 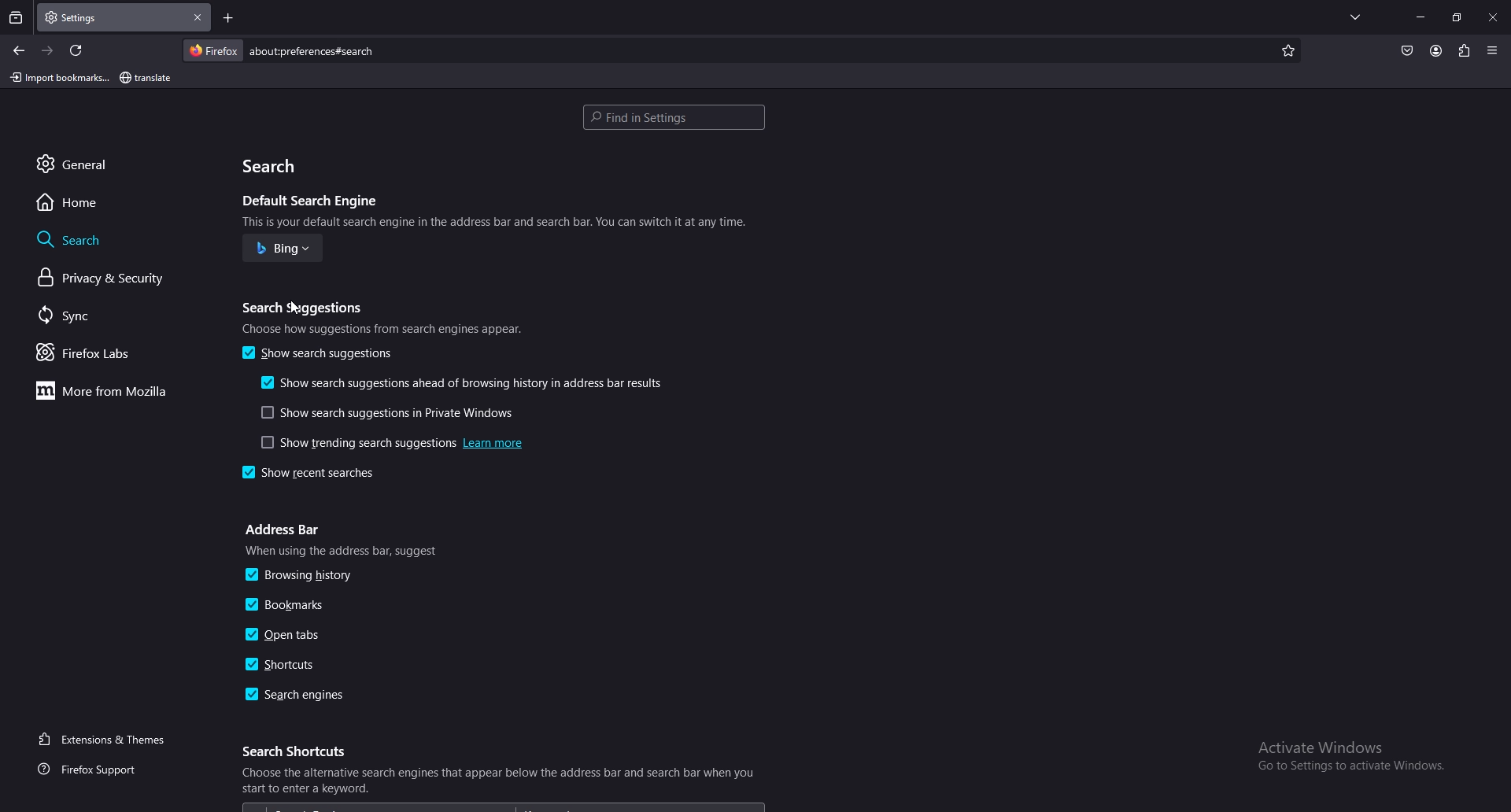 I want to click on sync, so click(x=109, y=317).